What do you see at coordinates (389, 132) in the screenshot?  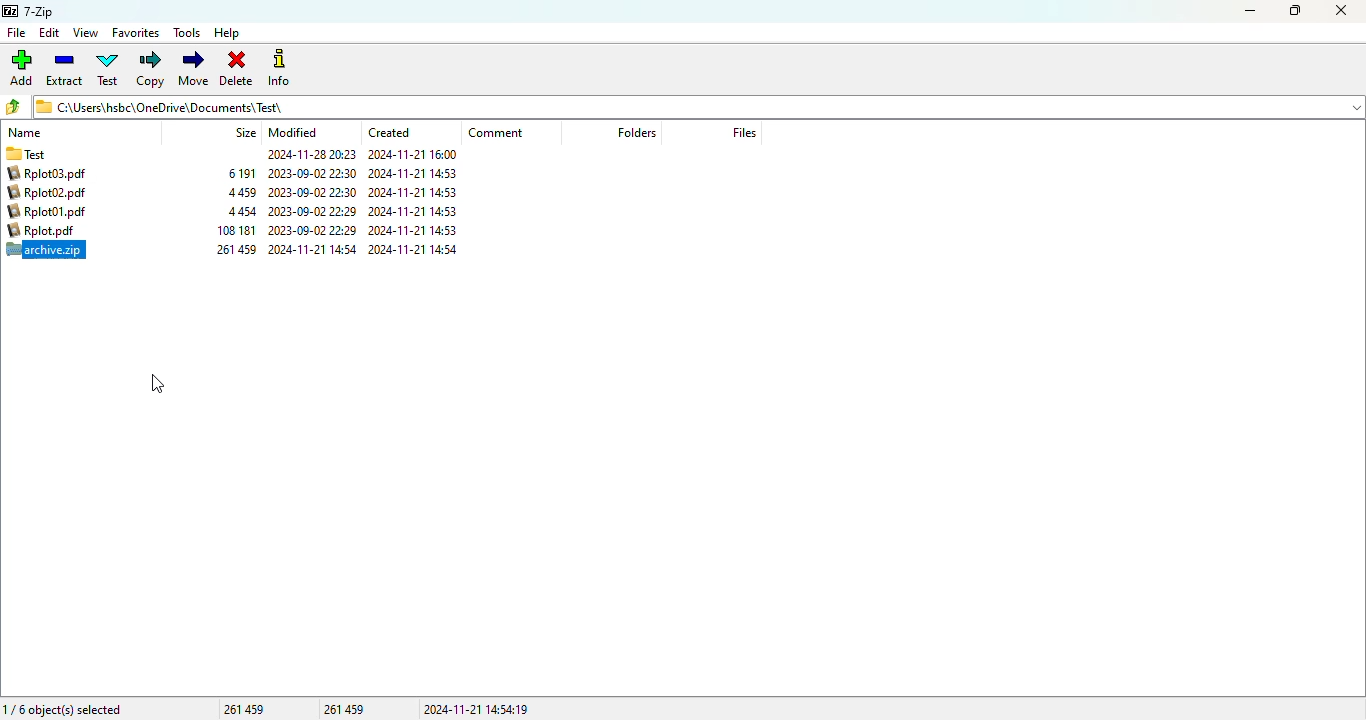 I see `created` at bounding box center [389, 132].